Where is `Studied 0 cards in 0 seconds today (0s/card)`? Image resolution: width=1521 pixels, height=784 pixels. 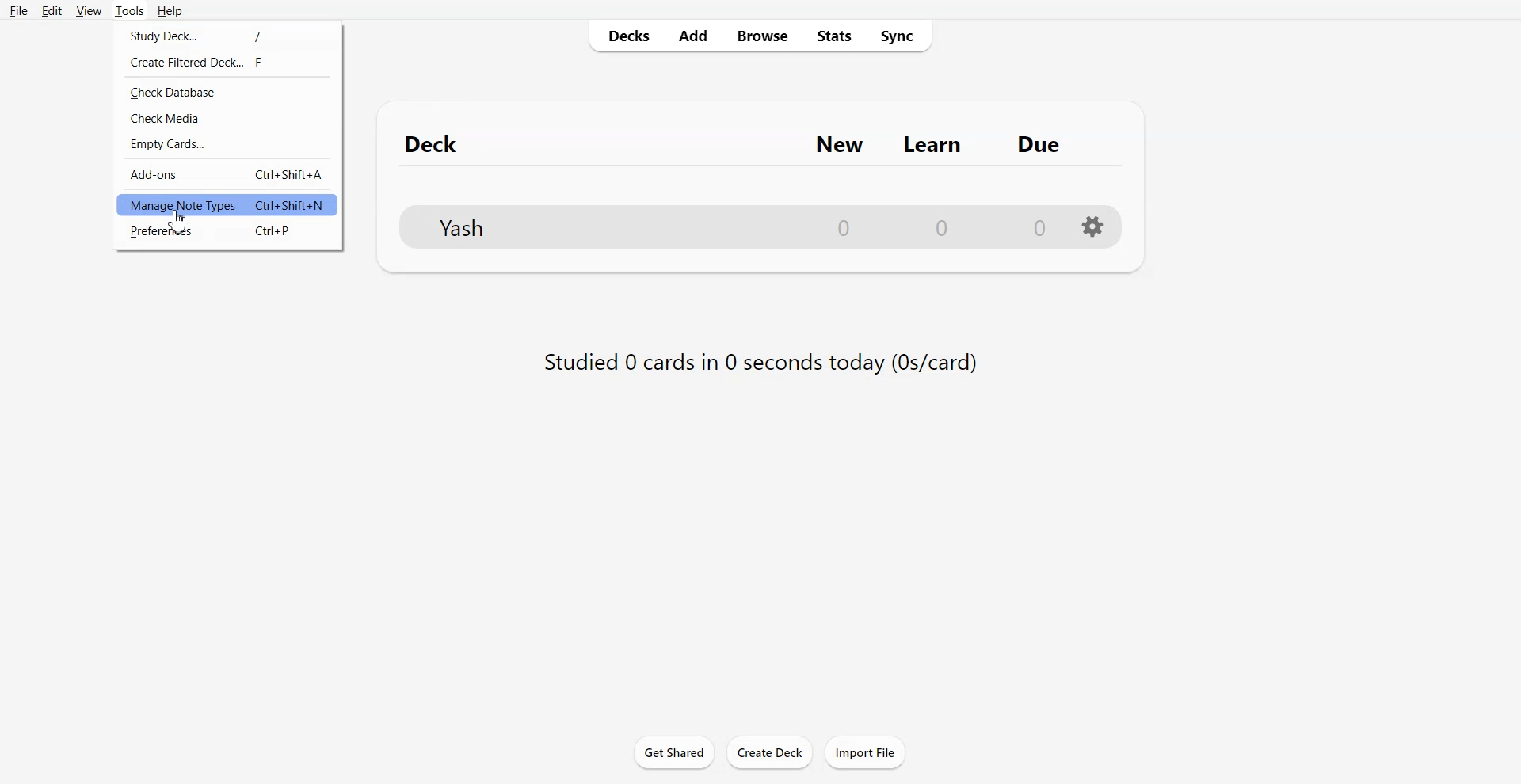
Studied 0 cards in 0 seconds today (0s/card) is located at coordinates (757, 366).